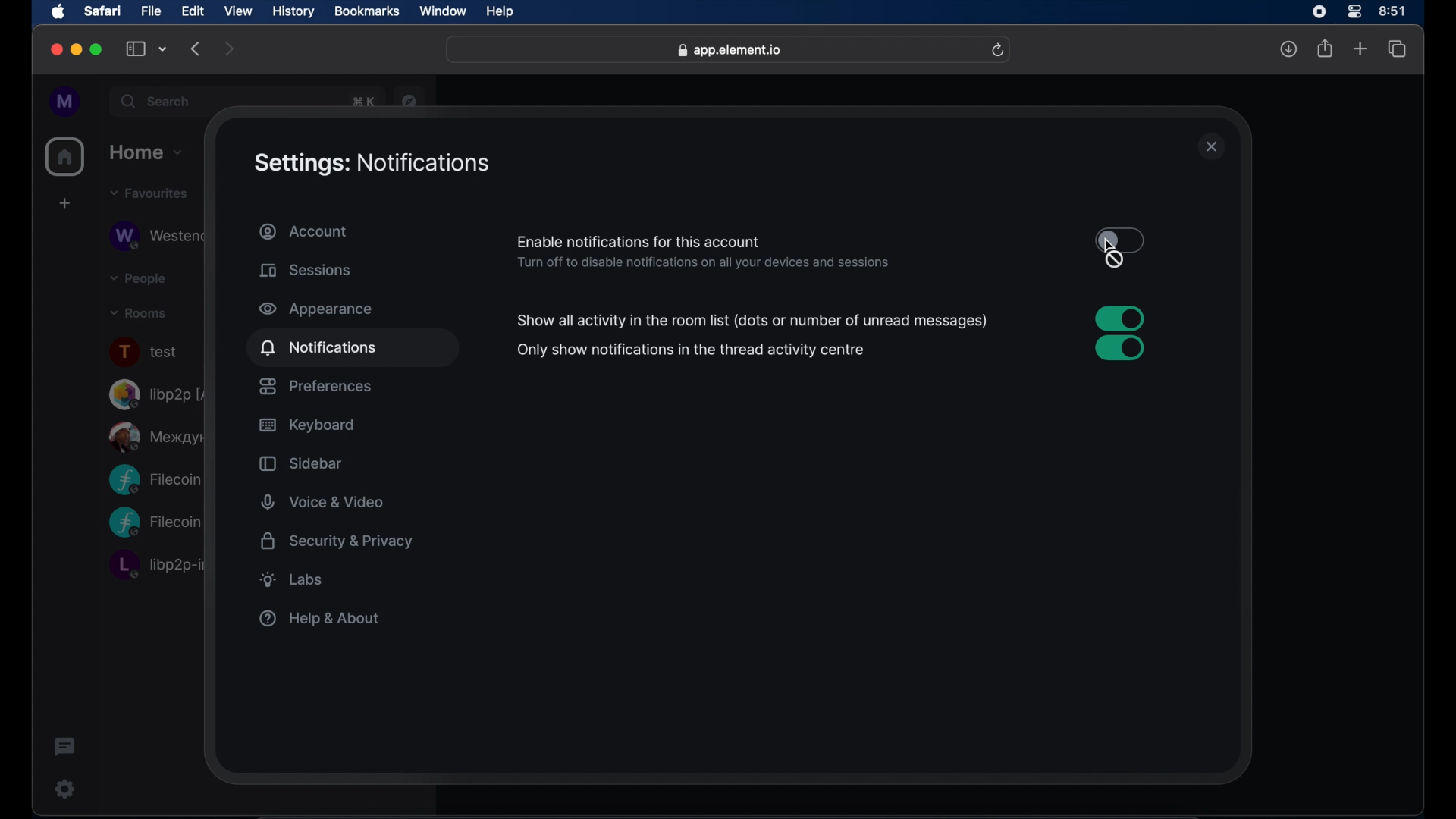  I want to click on backward, so click(196, 49).